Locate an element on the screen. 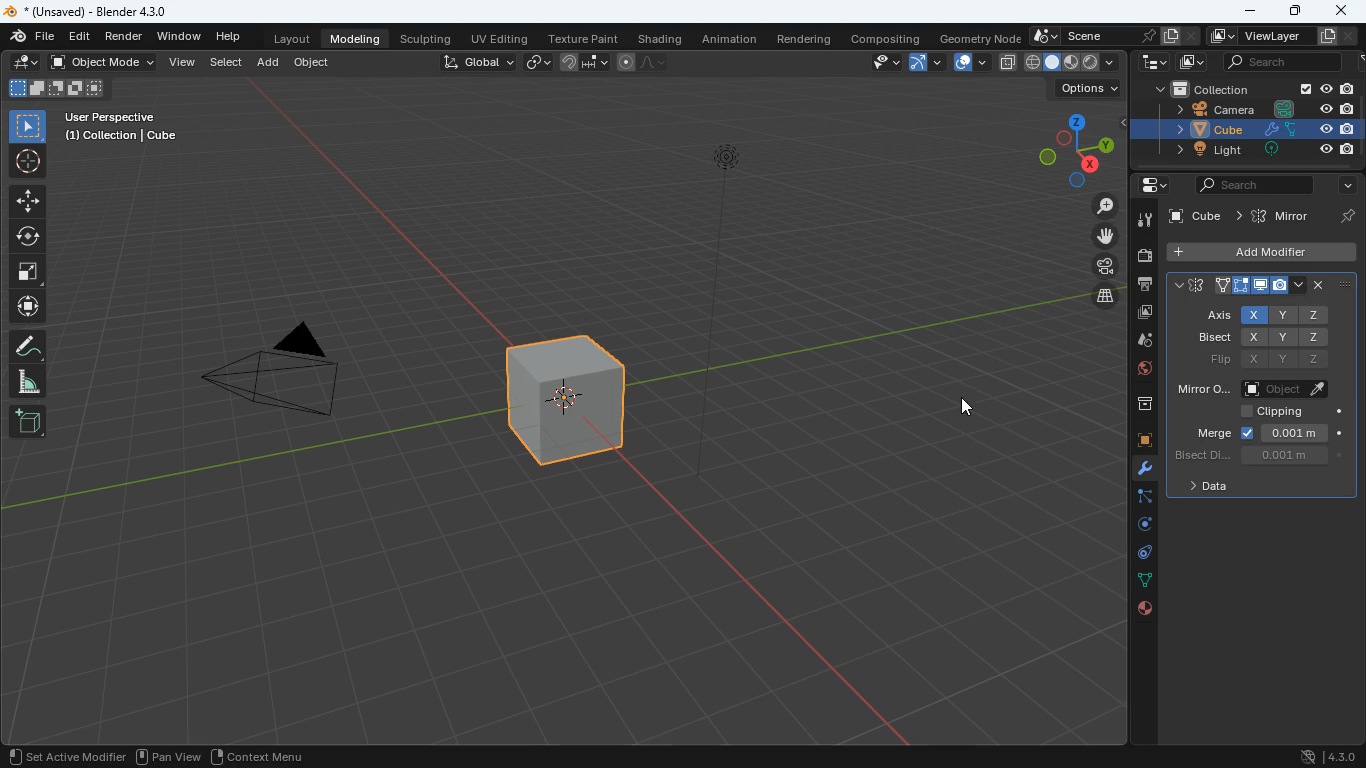 This screenshot has height=768, width=1366. move is located at coordinates (1105, 236).